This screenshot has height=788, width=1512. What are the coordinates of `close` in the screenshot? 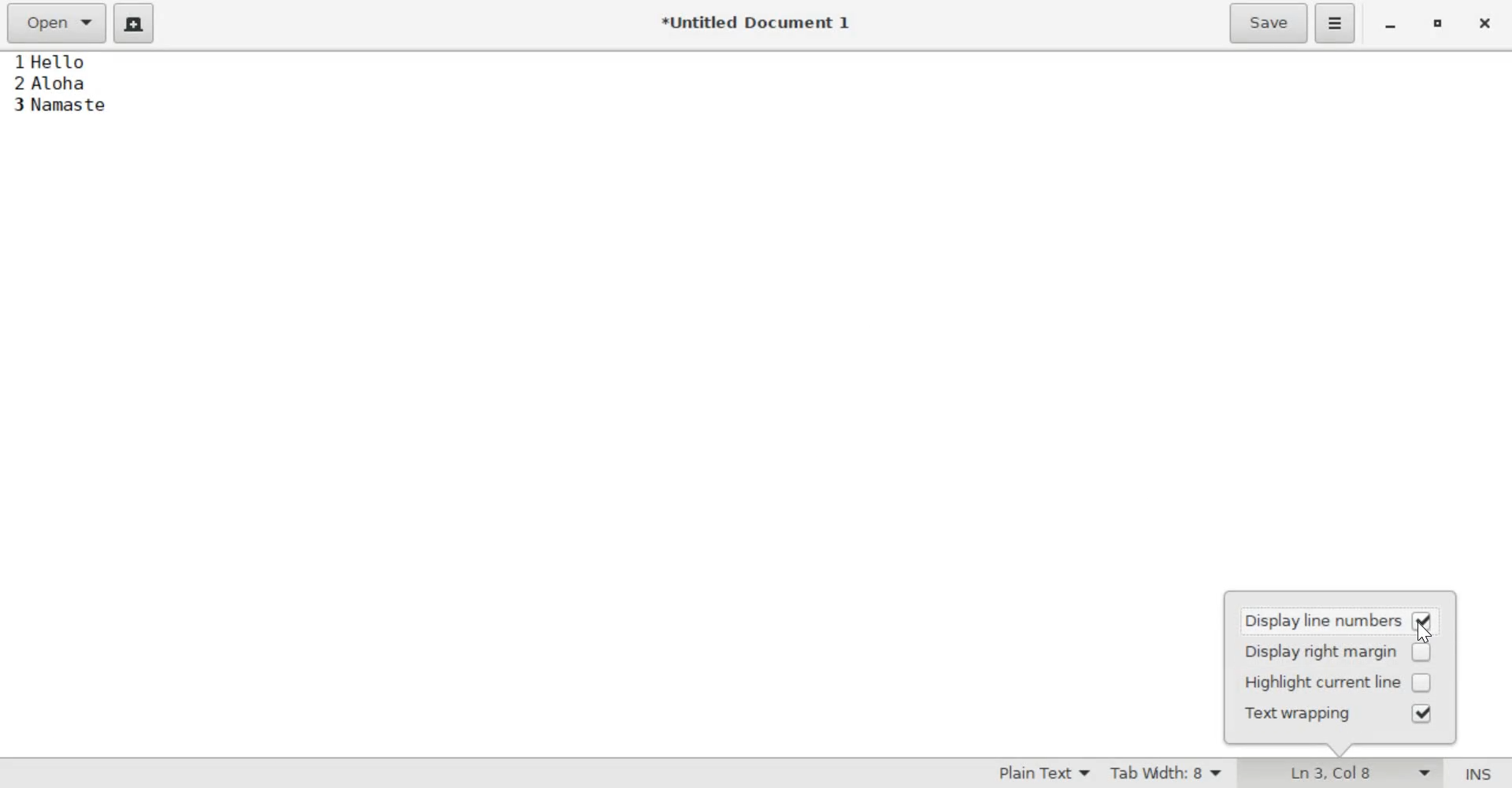 It's located at (1488, 24).